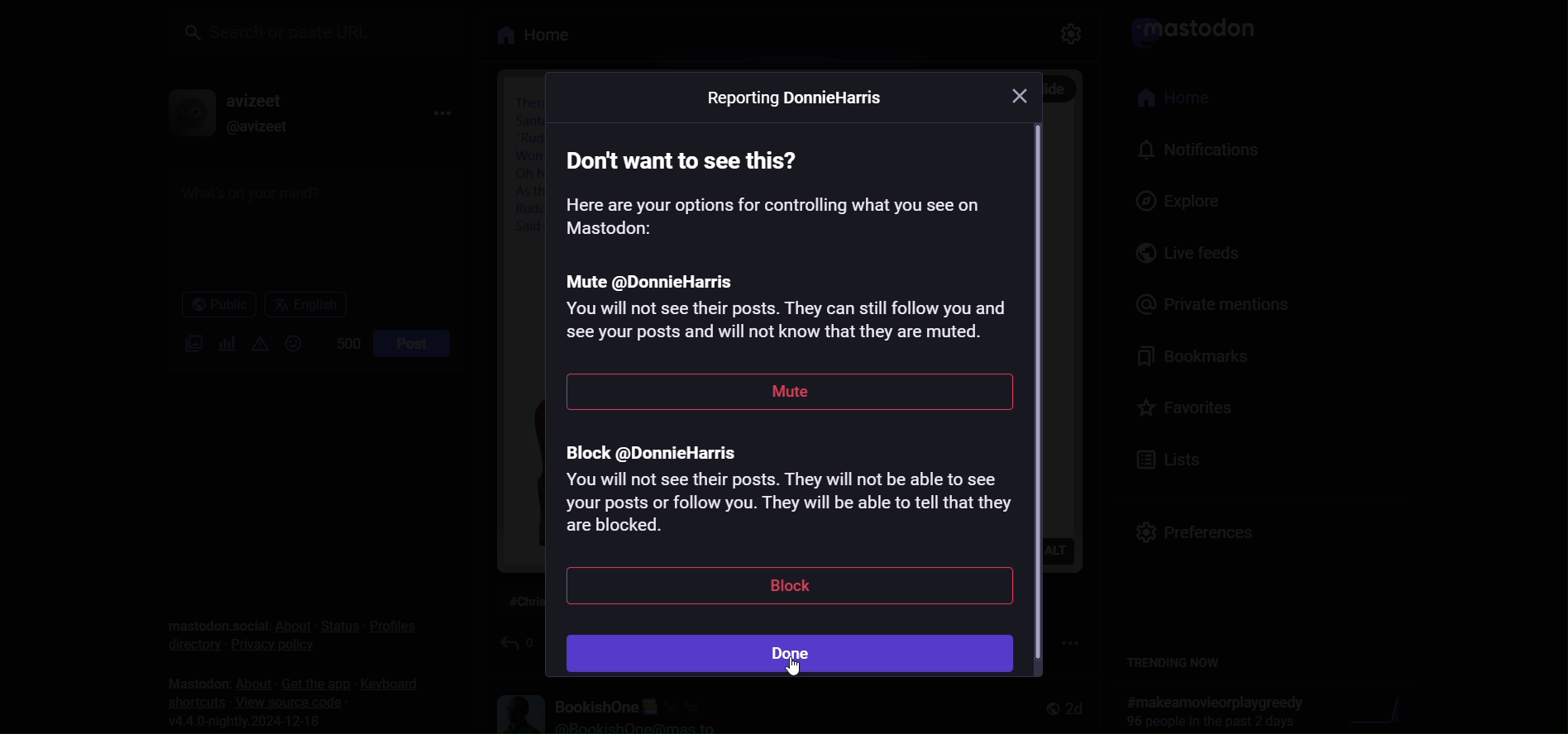 This screenshot has height=734, width=1568. Describe the element at coordinates (304, 304) in the screenshot. I see `english` at that location.